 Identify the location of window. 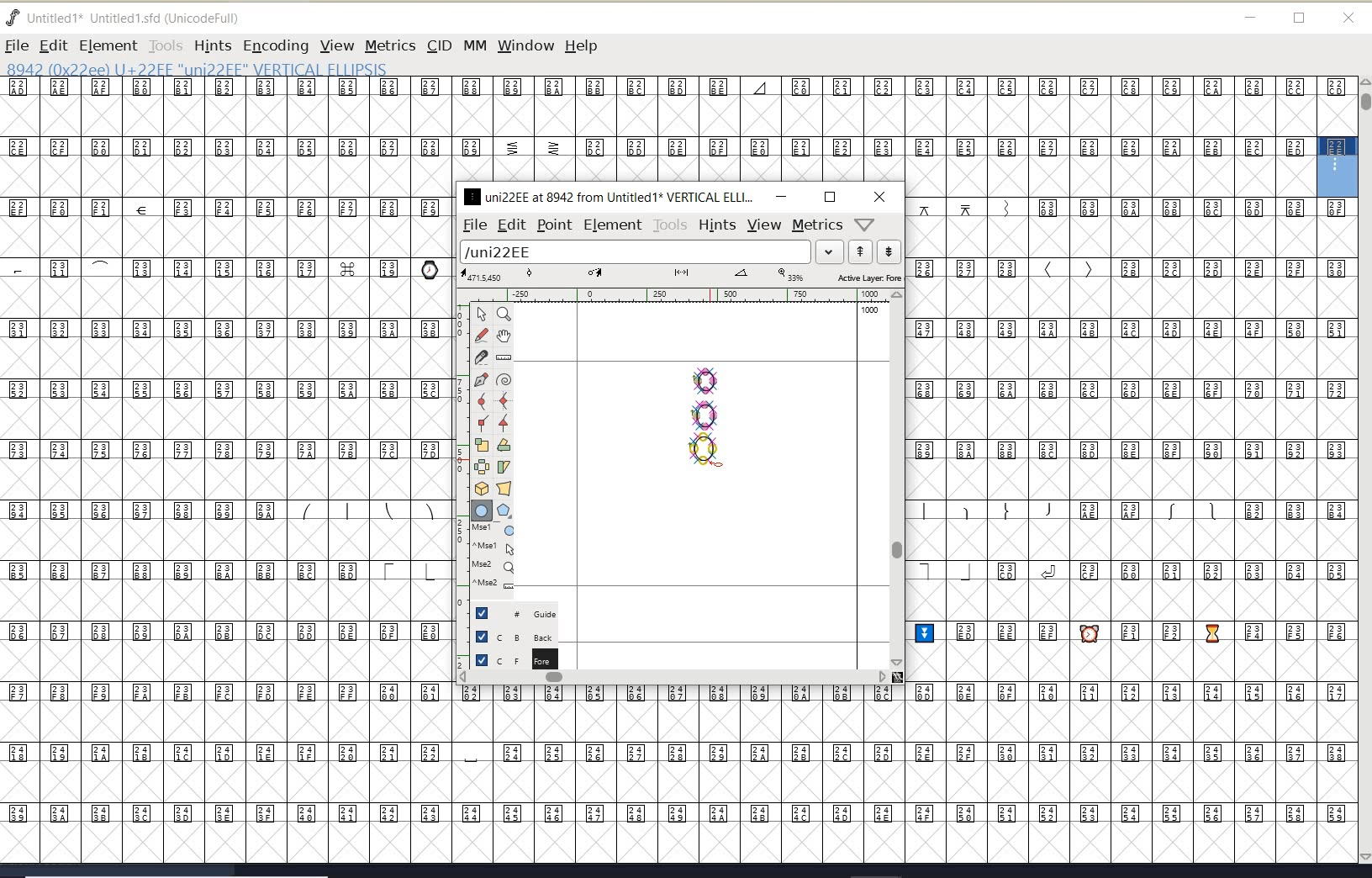
(525, 45).